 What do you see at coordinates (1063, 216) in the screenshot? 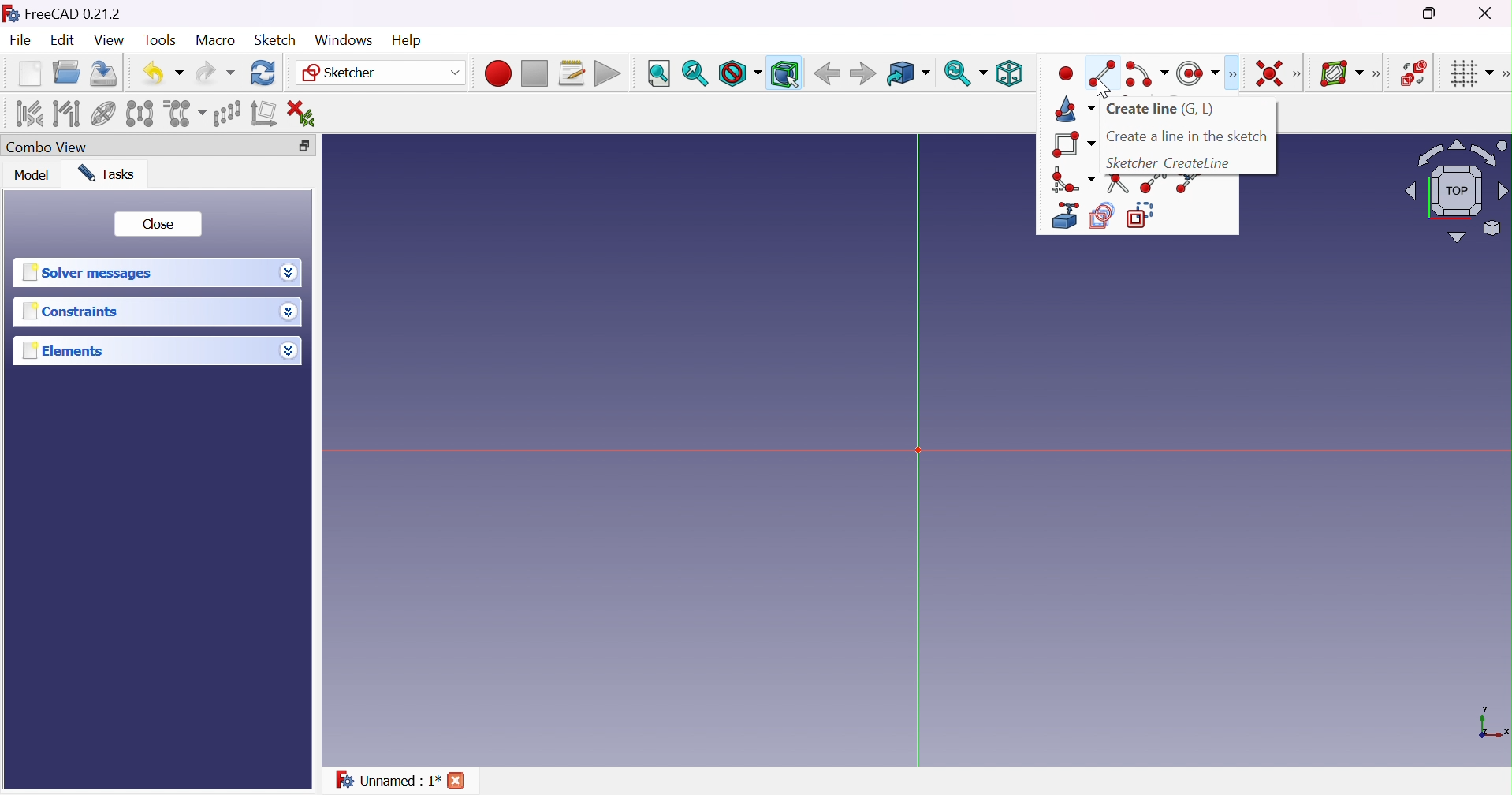
I see `Create external geometry` at bounding box center [1063, 216].